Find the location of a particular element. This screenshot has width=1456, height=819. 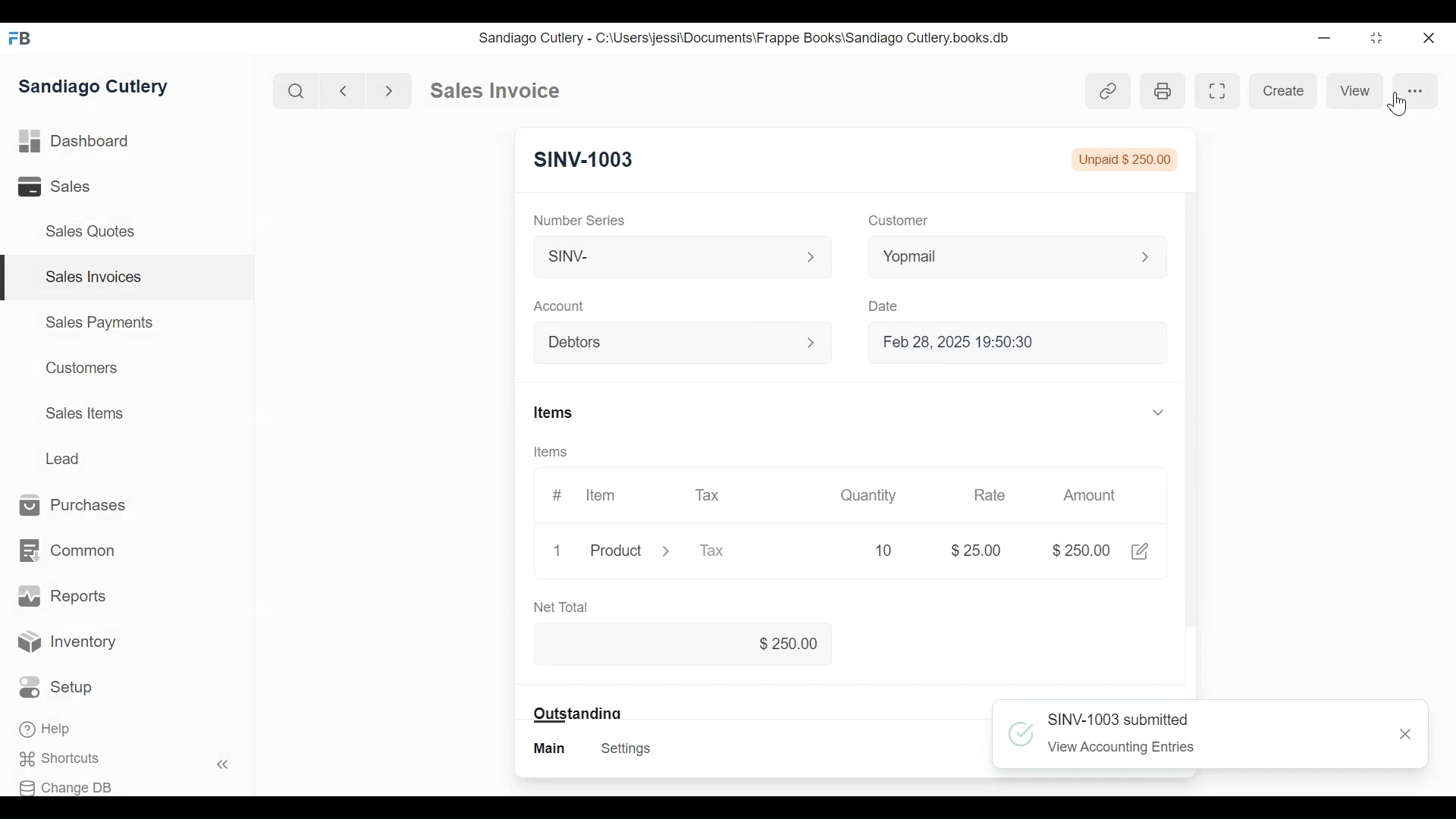

« is located at coordinates (223, 767).